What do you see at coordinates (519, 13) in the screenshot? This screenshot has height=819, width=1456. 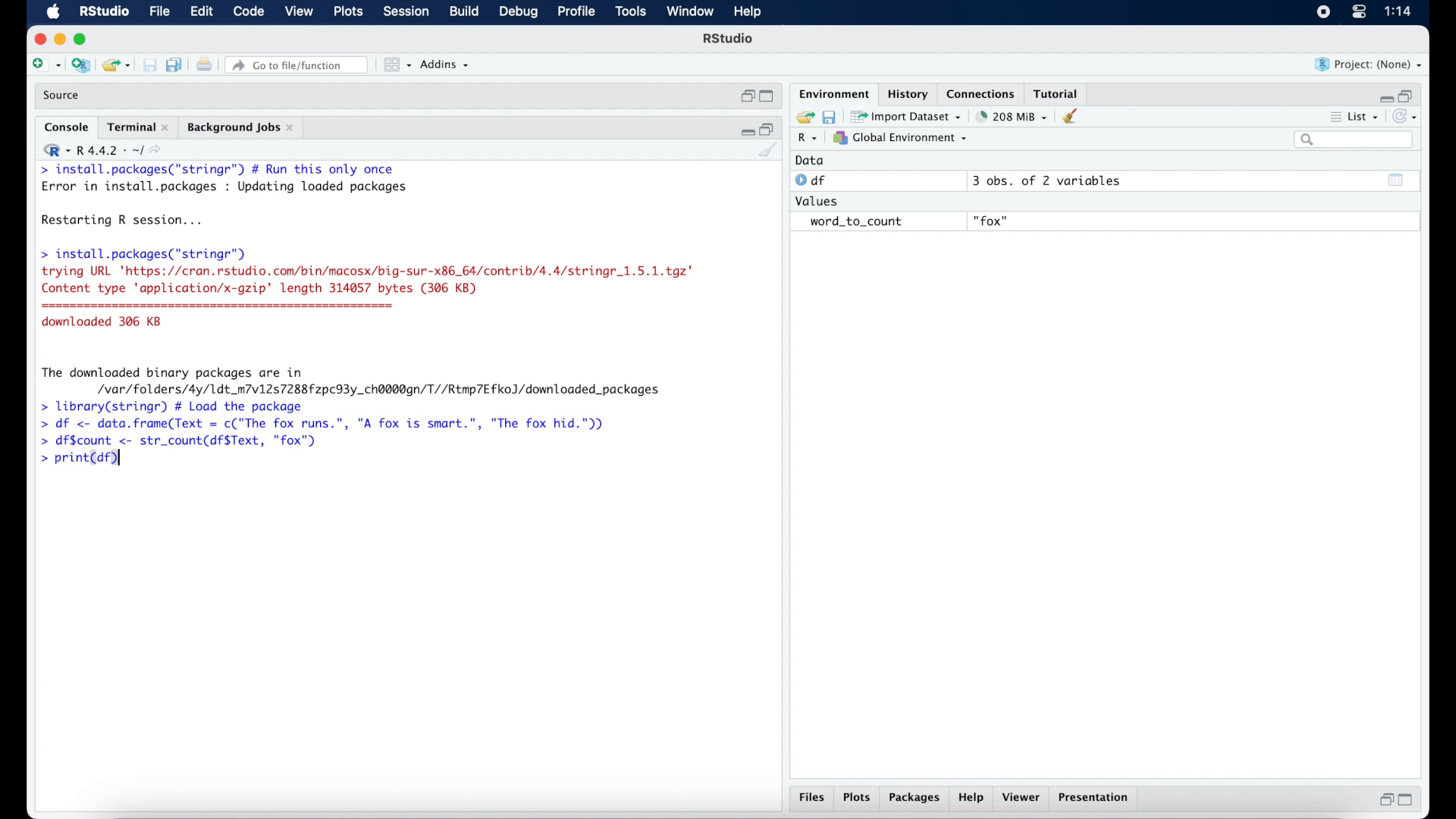 I see `debug` at bounding box center [519, 13].